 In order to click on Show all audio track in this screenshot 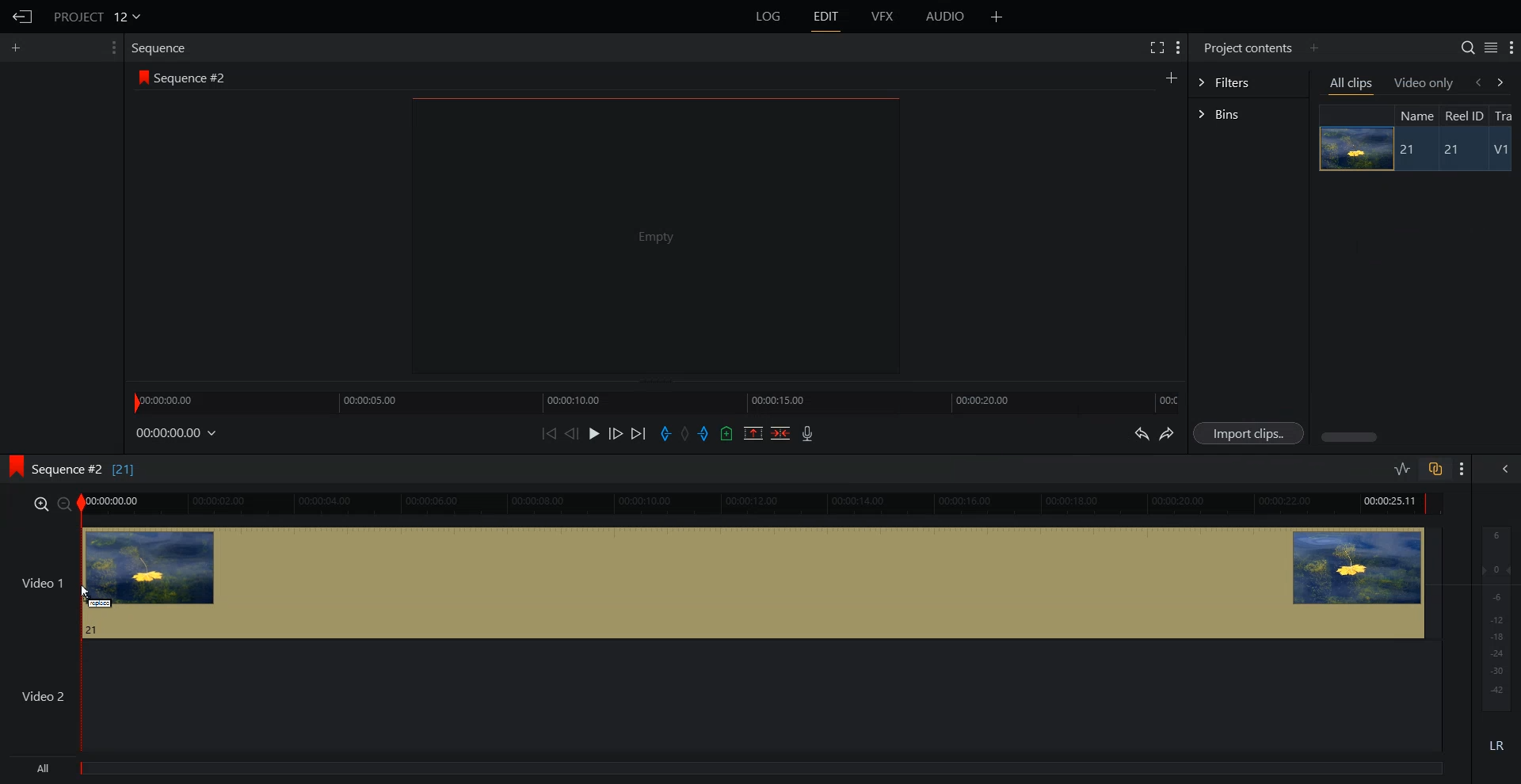, I will do `click(1506, 469)`.